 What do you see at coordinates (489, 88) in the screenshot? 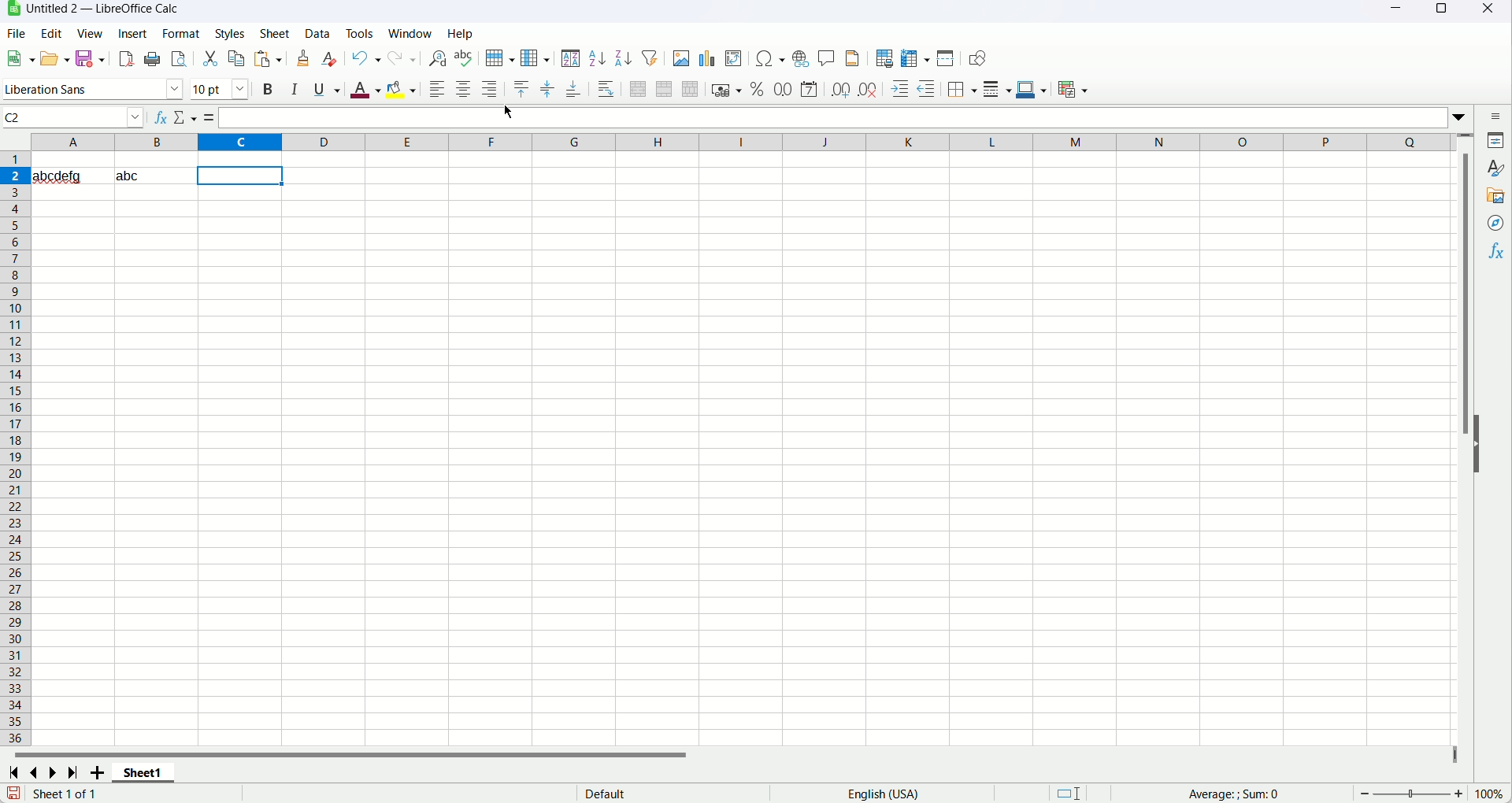
I see `align right` at bounding box center [489, 88].